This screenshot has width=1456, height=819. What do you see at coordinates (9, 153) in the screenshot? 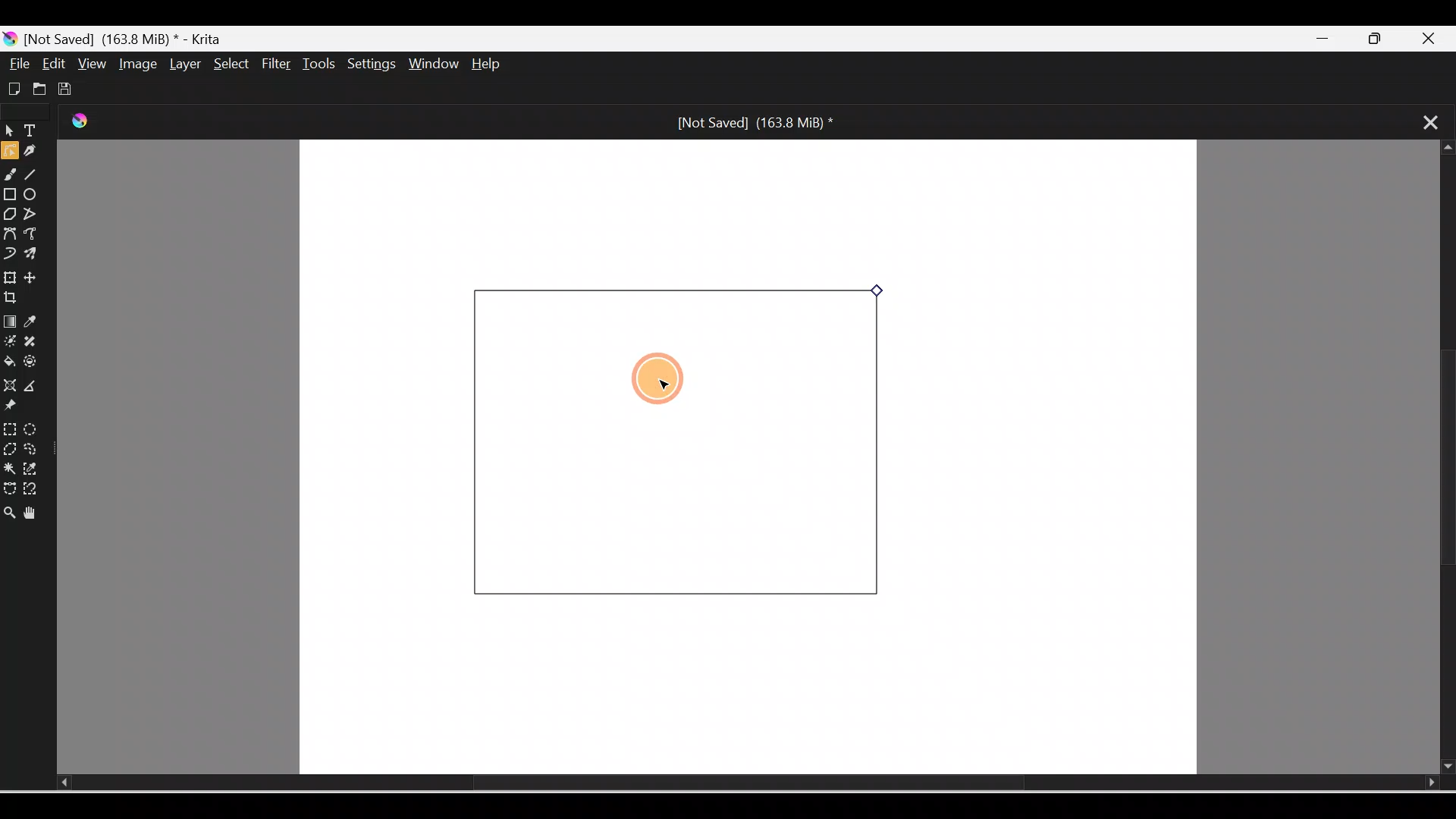
I see `Edit shapes tool` at bounding box center [9, 153].